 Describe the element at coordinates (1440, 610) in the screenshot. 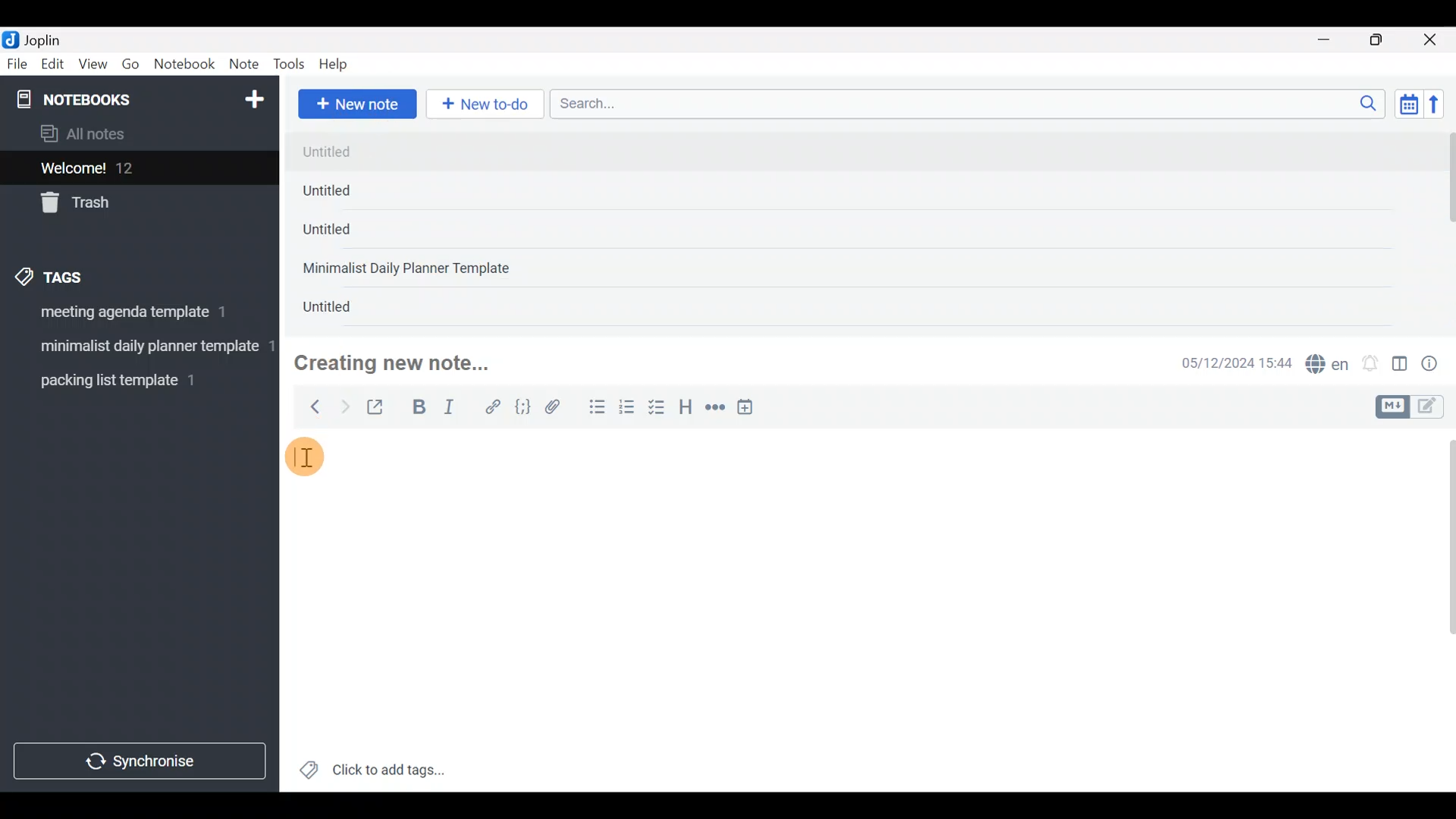

I see `Scroll bar` at that location.